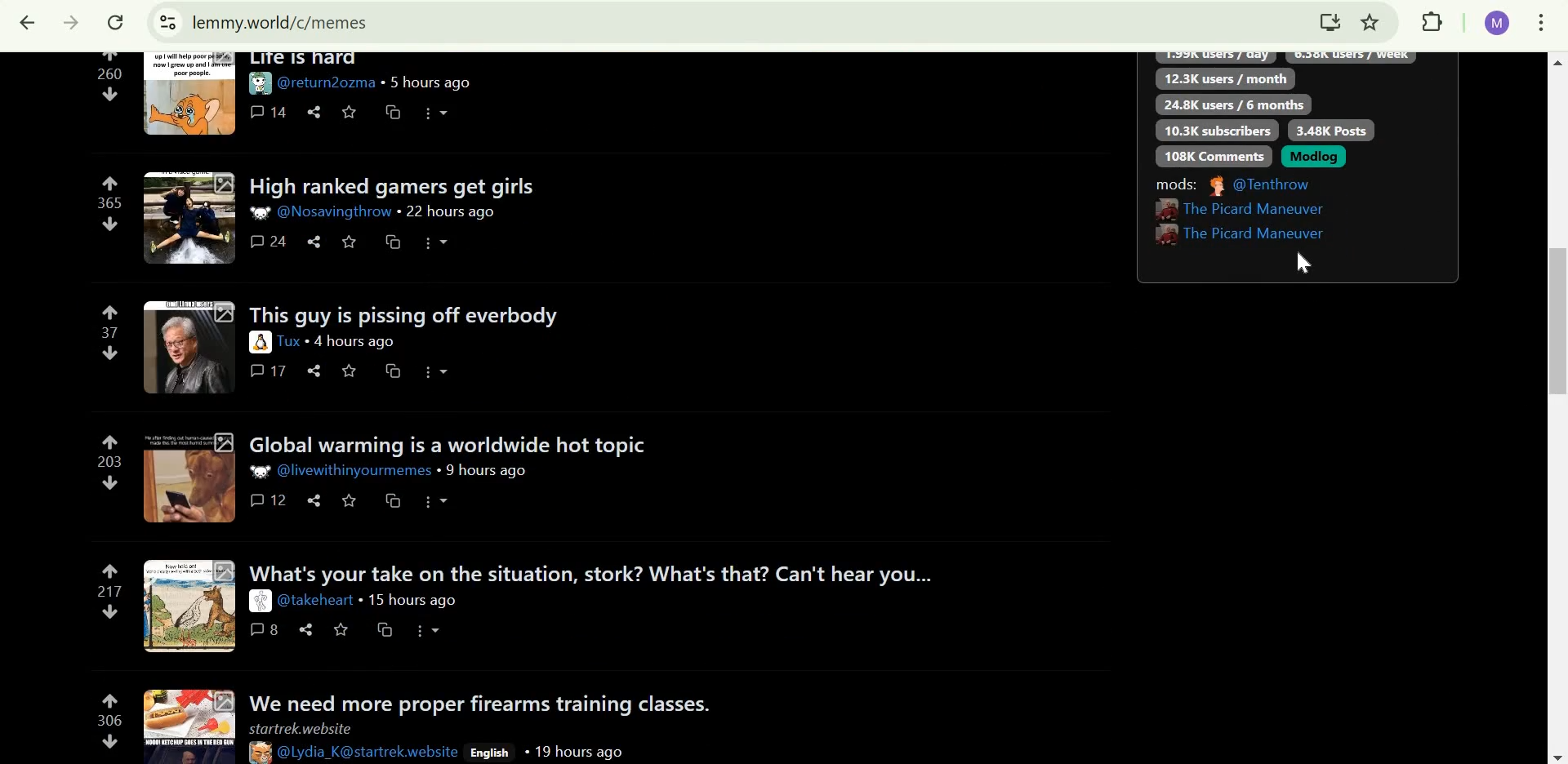 This screenshot has width=1568, height=764. What do you see at coordinates (395, 241) in the screenshot?
I see `cross-post` at bounding box center [395, 241].